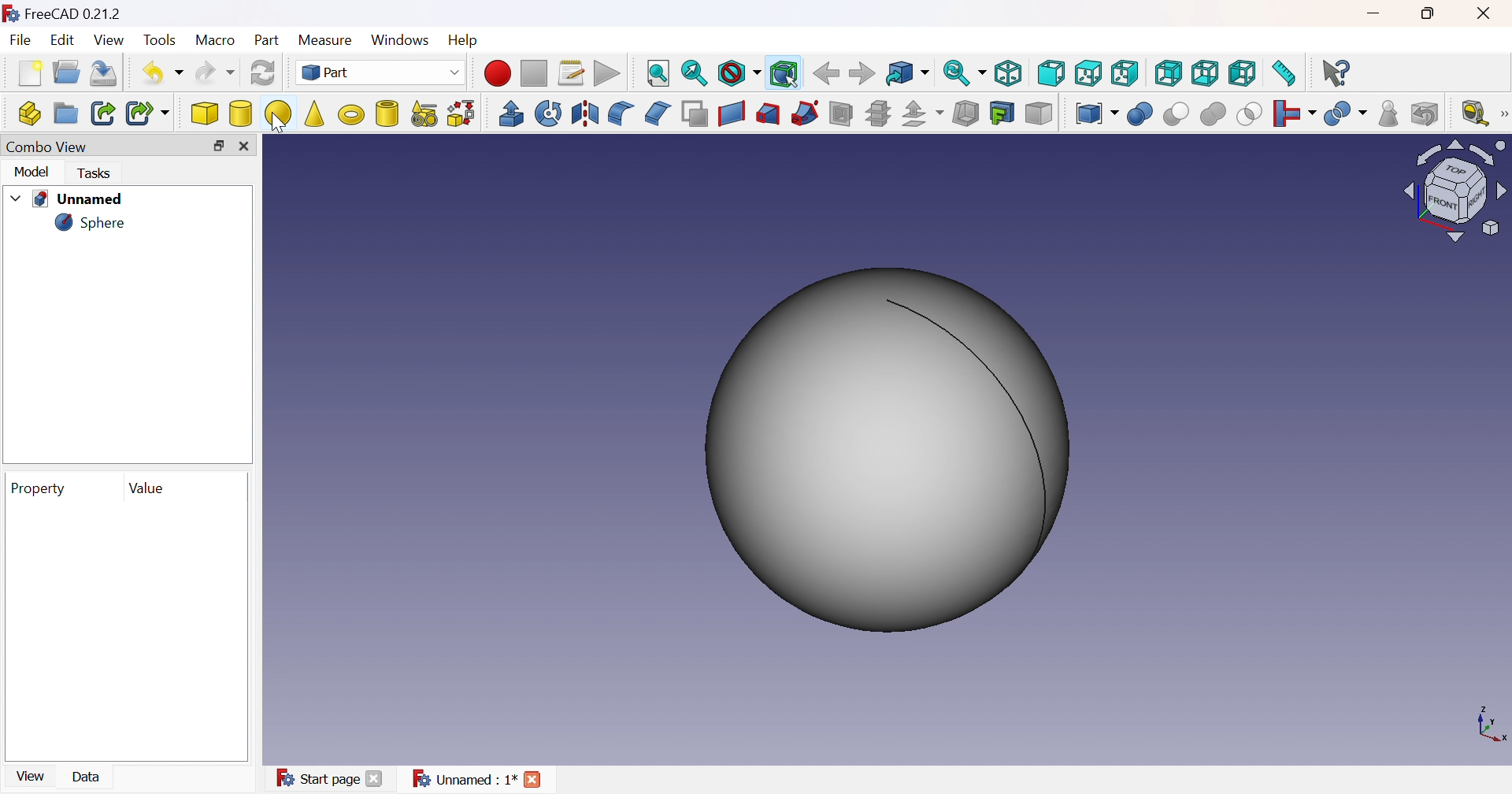  Describe the element at coordinates (1426, 115) in the screenshot. I see `Defeaturing` at that location.